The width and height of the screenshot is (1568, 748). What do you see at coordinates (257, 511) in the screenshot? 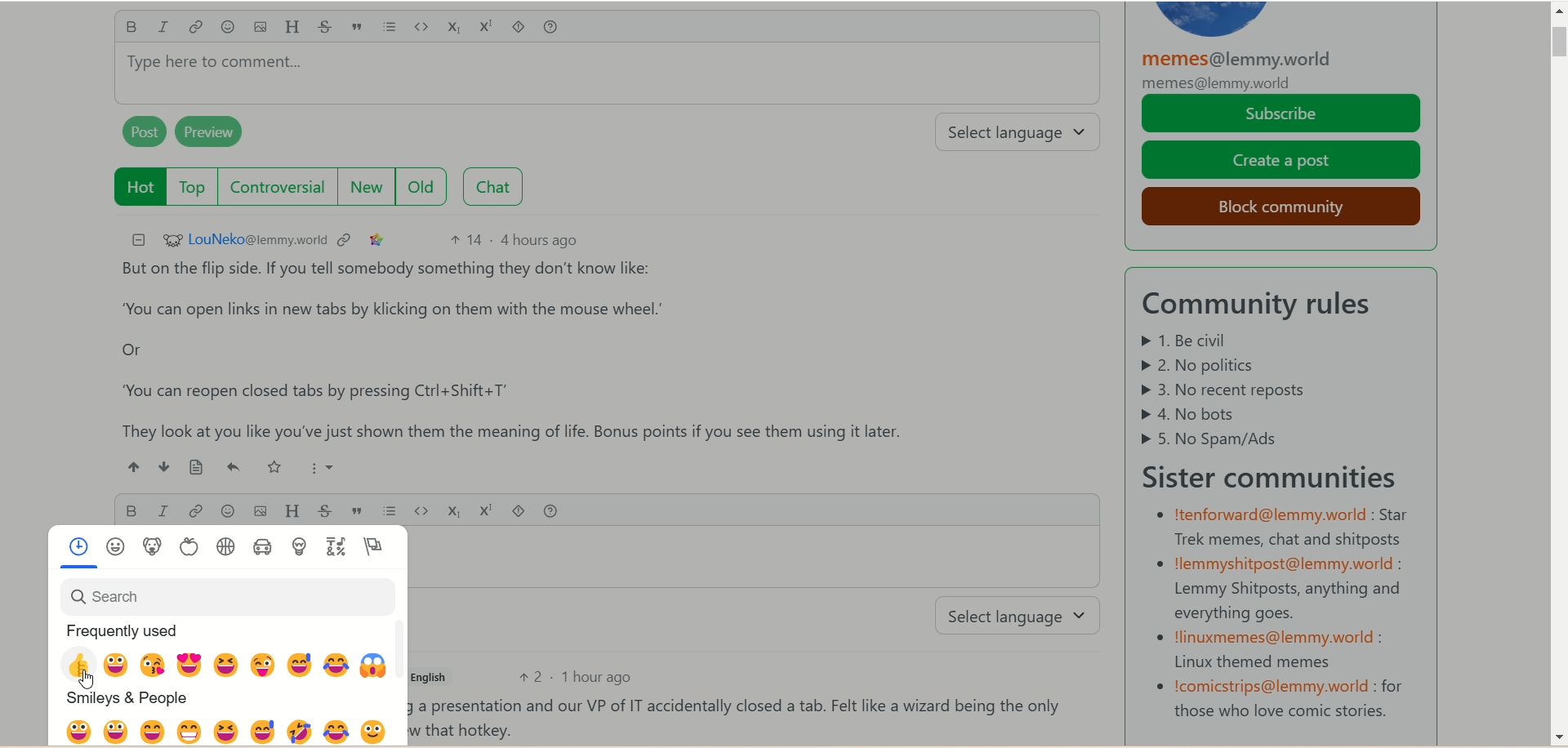
I see `image` at bounding box center [257, 511].